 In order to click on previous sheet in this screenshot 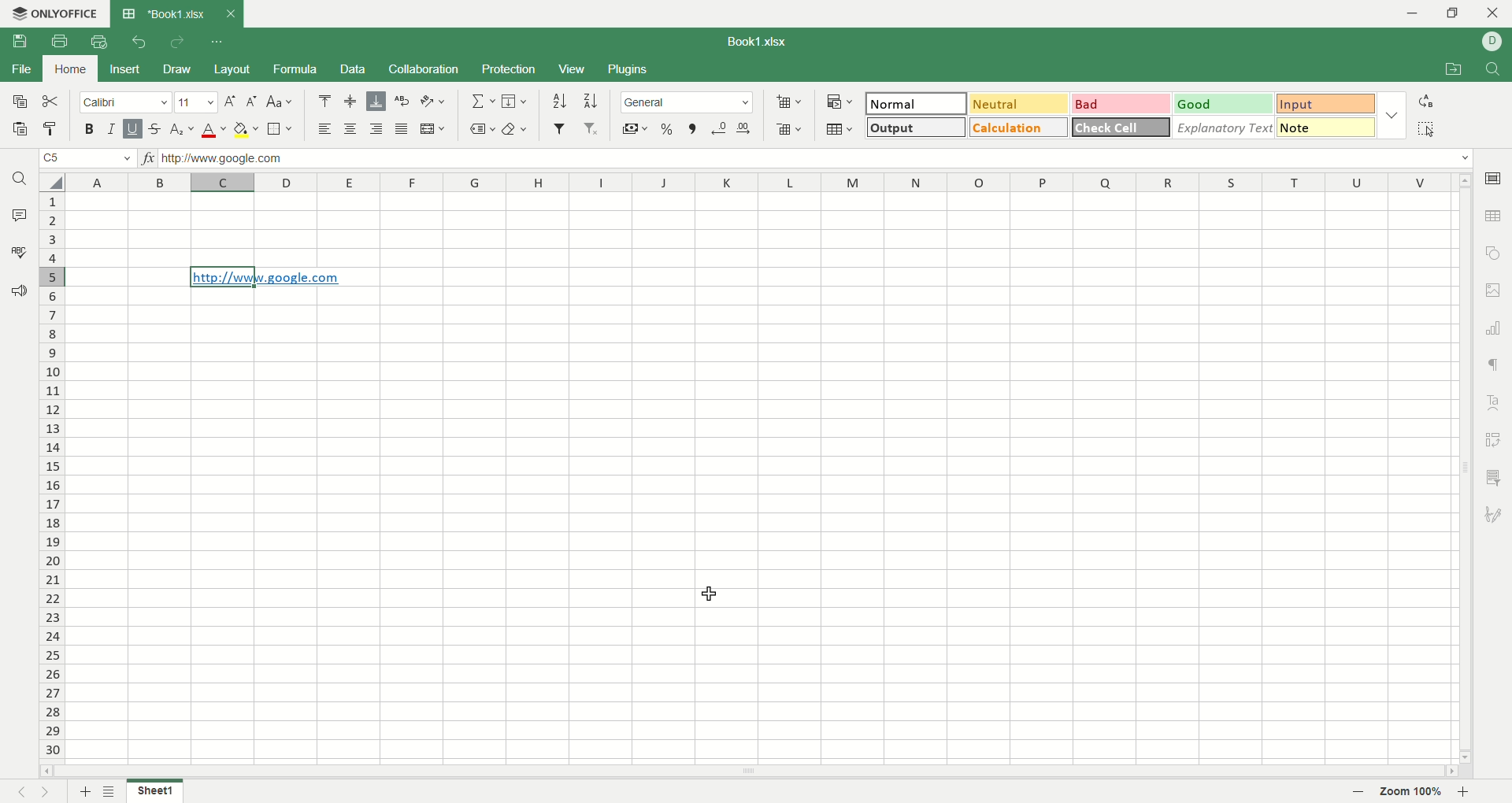, I will do `click(15, 794)`.